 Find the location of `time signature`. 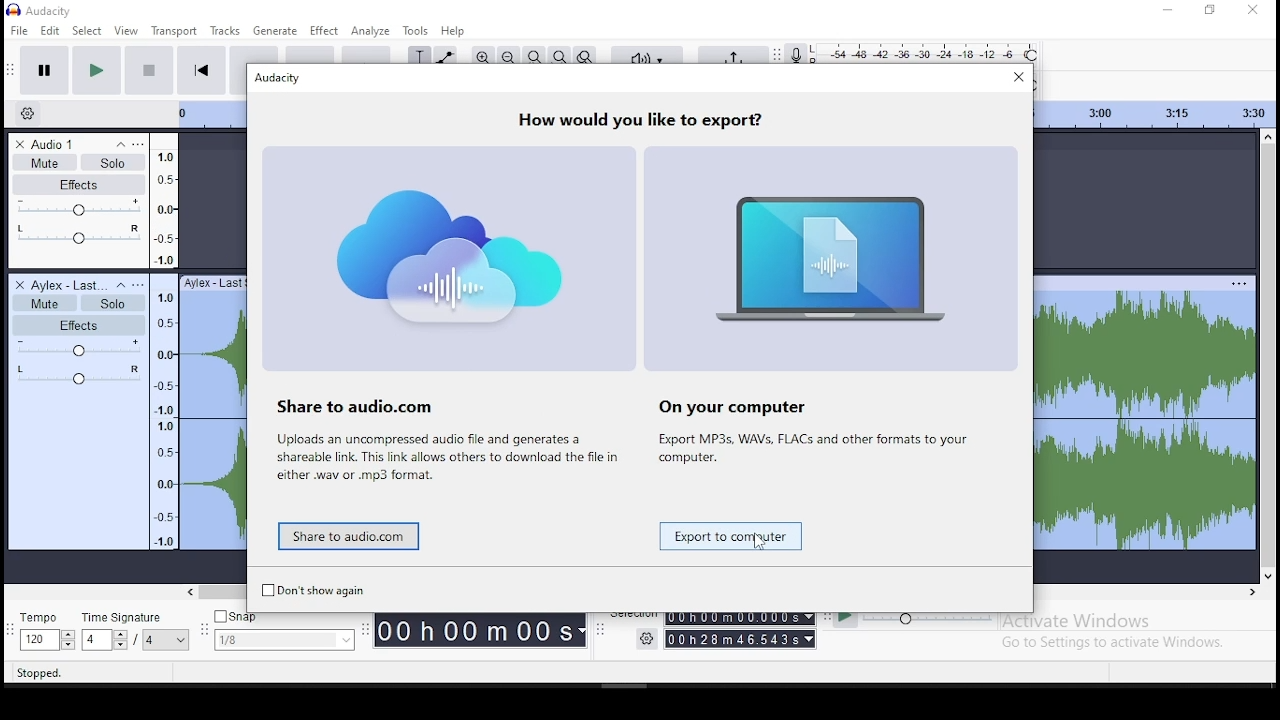

time signature is located at coordinates (137, 632).